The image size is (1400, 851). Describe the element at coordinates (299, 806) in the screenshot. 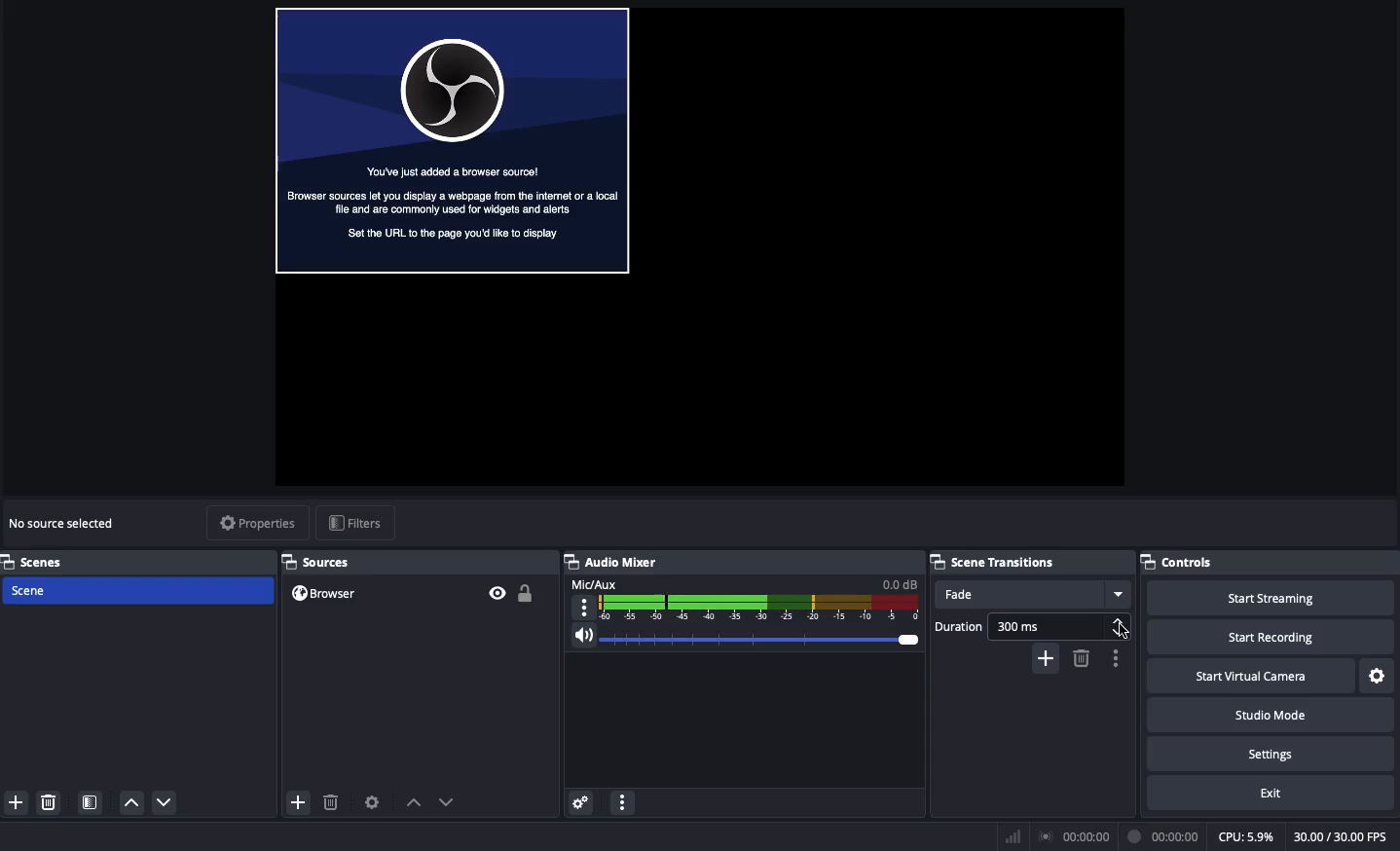

I see `add` at that location.